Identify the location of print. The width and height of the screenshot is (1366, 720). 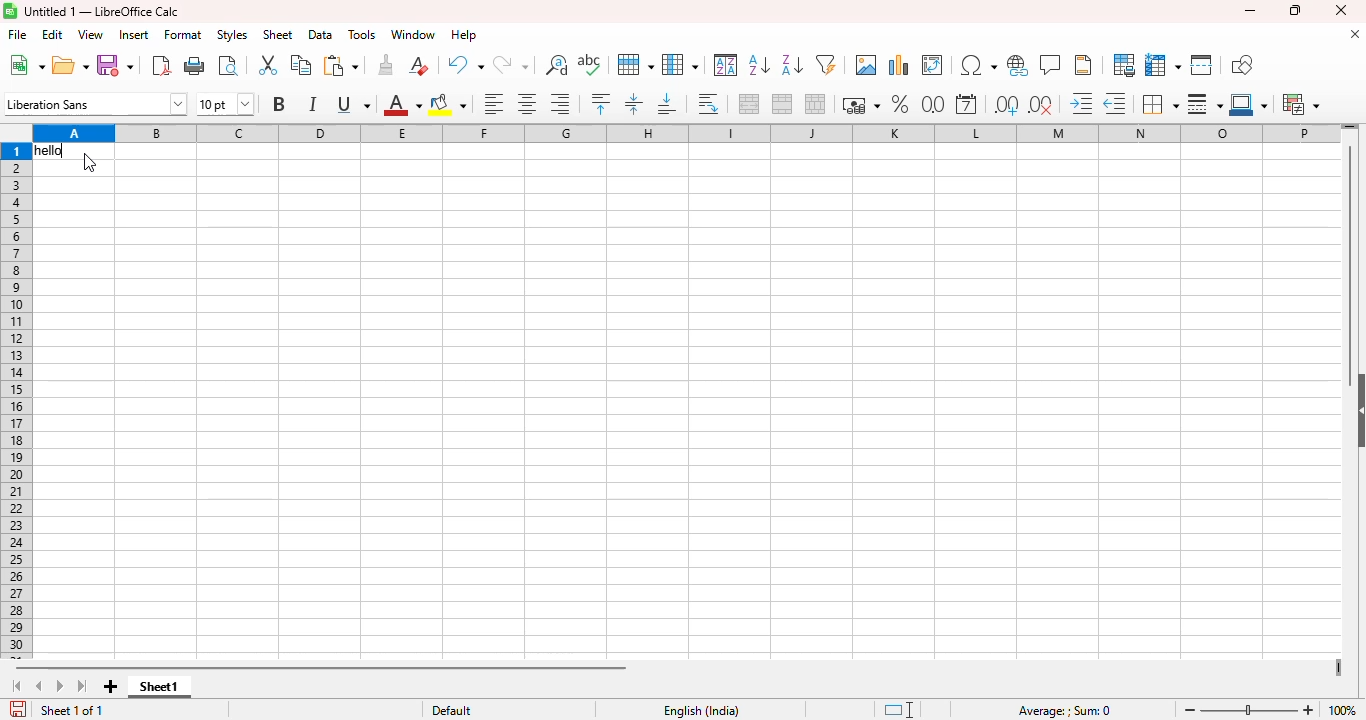
(196, 65).